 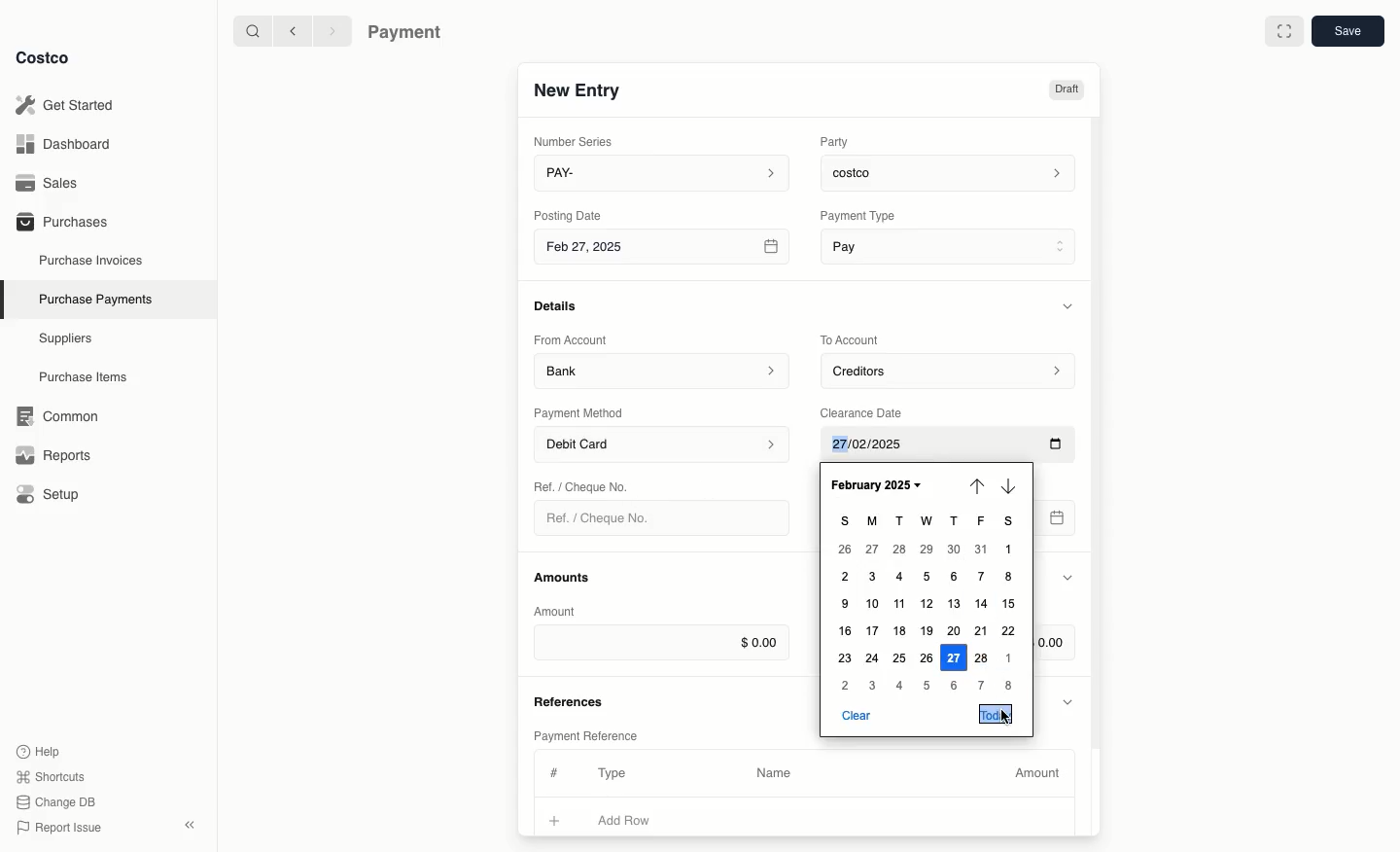 What do you see at coordinates (1284, 34) in the screenshot?
I see `Full width toggle` at bounding box center [1284, 34].